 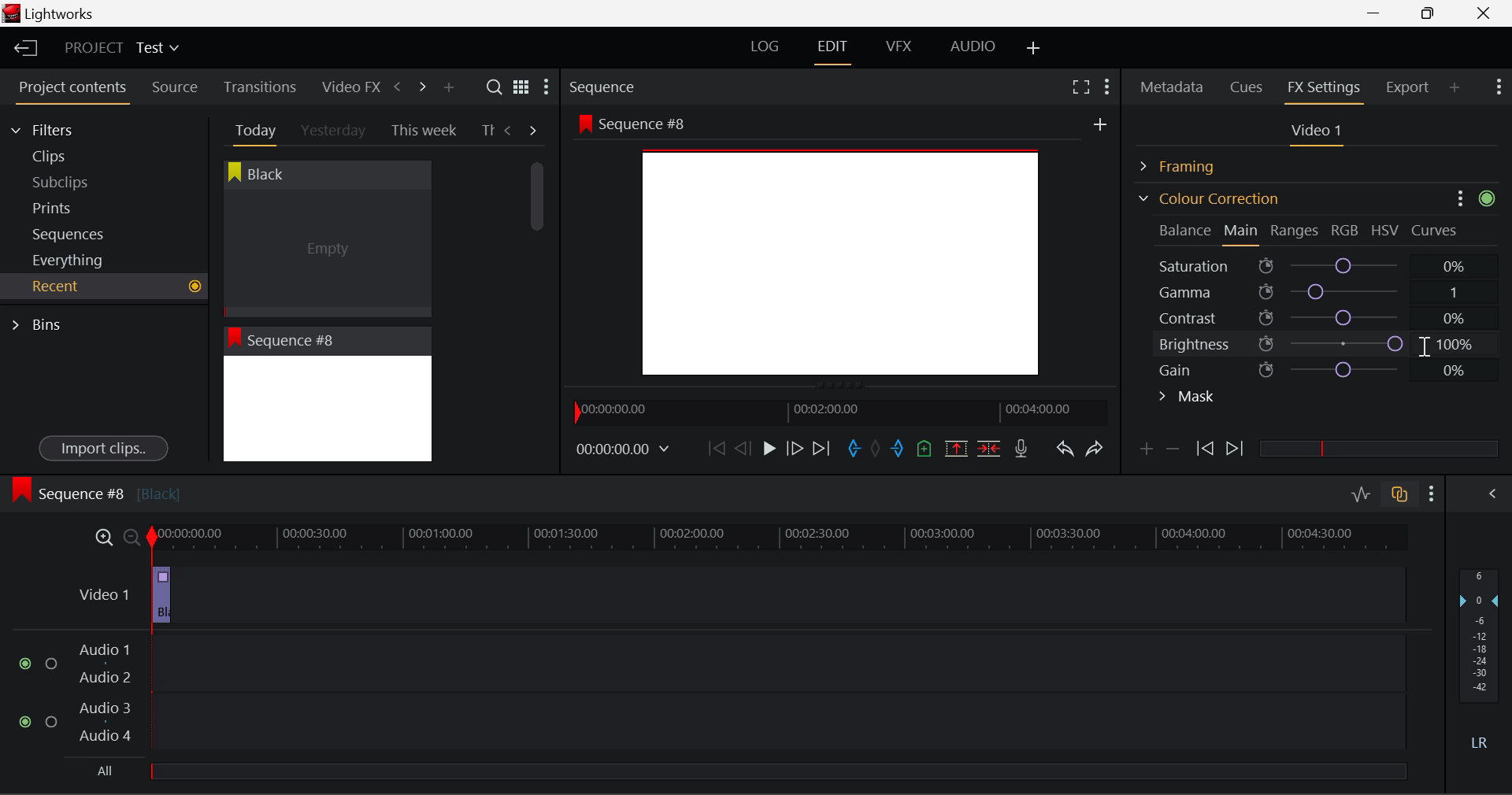 What do you see at coordinates (1478, 663) in the screenshot?
I see `Decibel Gain` at bounding box center [1478, 663].